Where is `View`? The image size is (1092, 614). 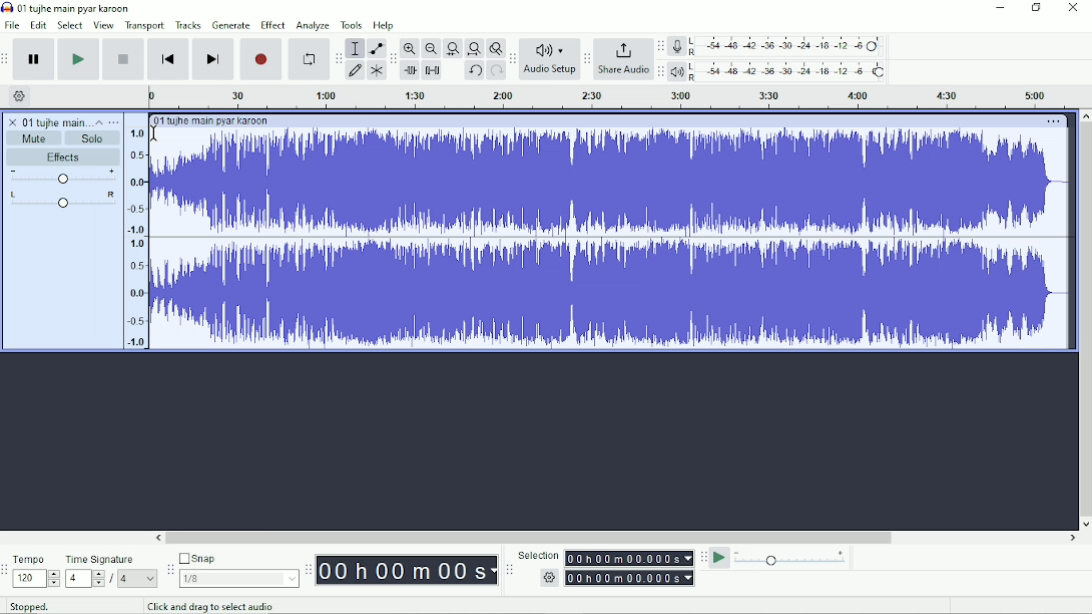
View is located at coordinates (104, 25).